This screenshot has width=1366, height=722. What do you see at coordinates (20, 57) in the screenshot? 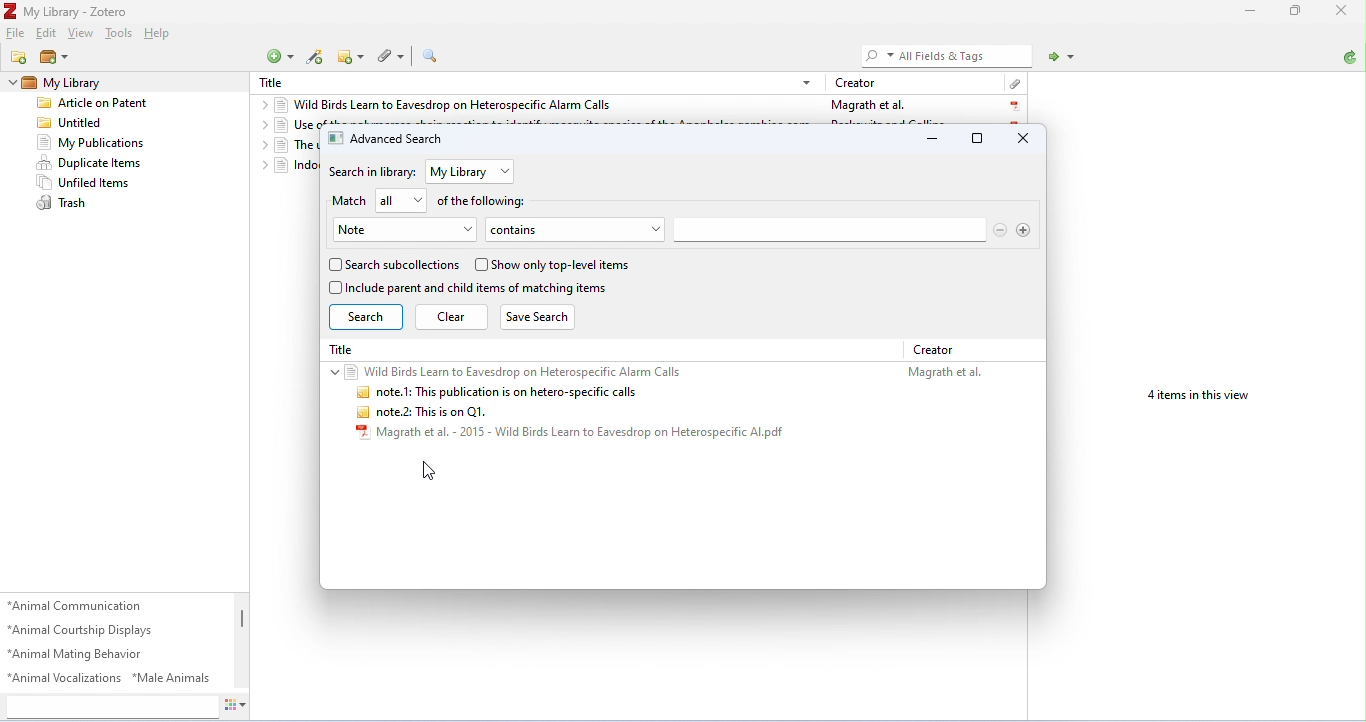
I see `new collection` at bounding box center [20, 57].